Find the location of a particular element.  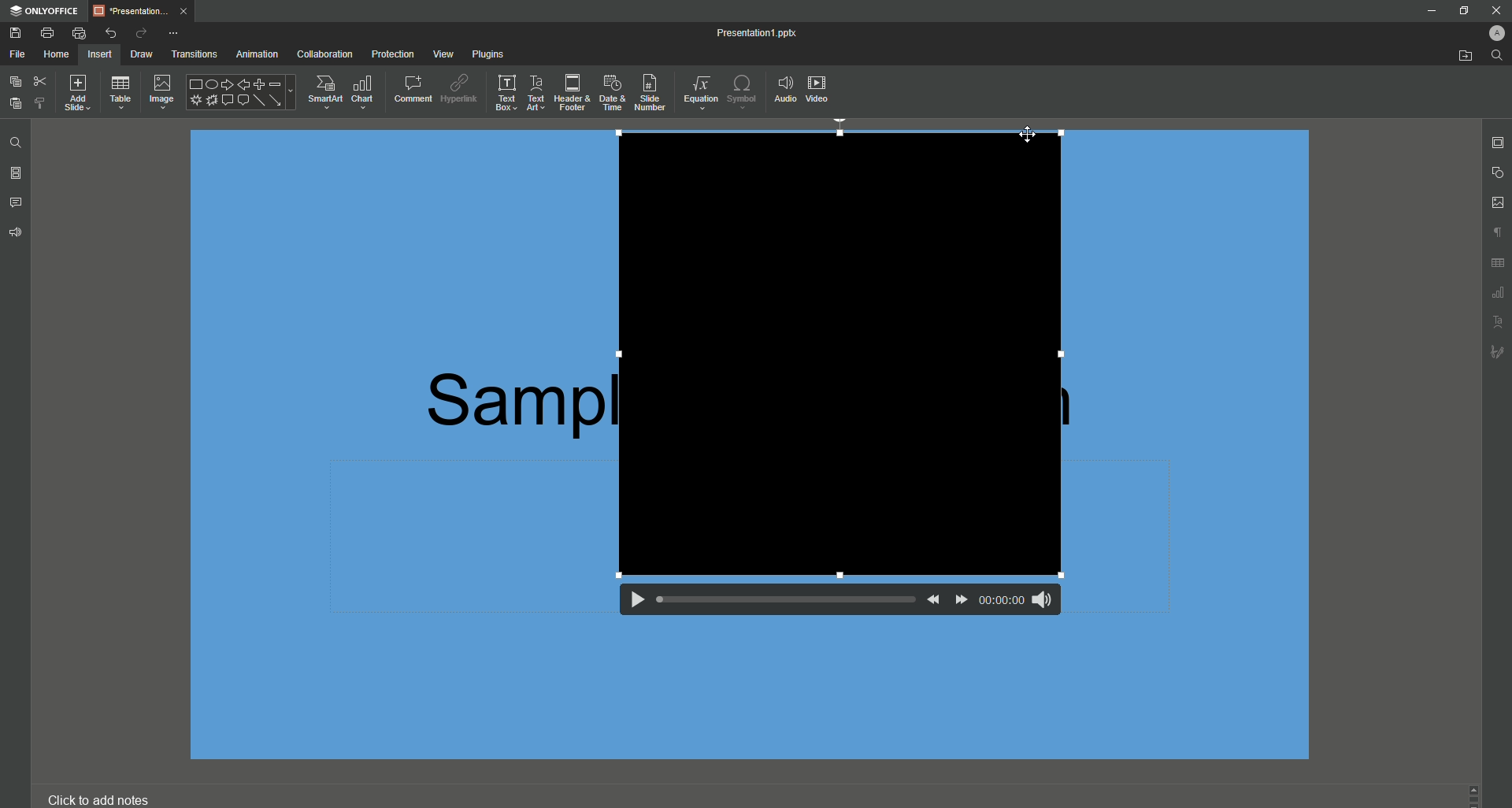

Insert is located at coordinates (98, 54).